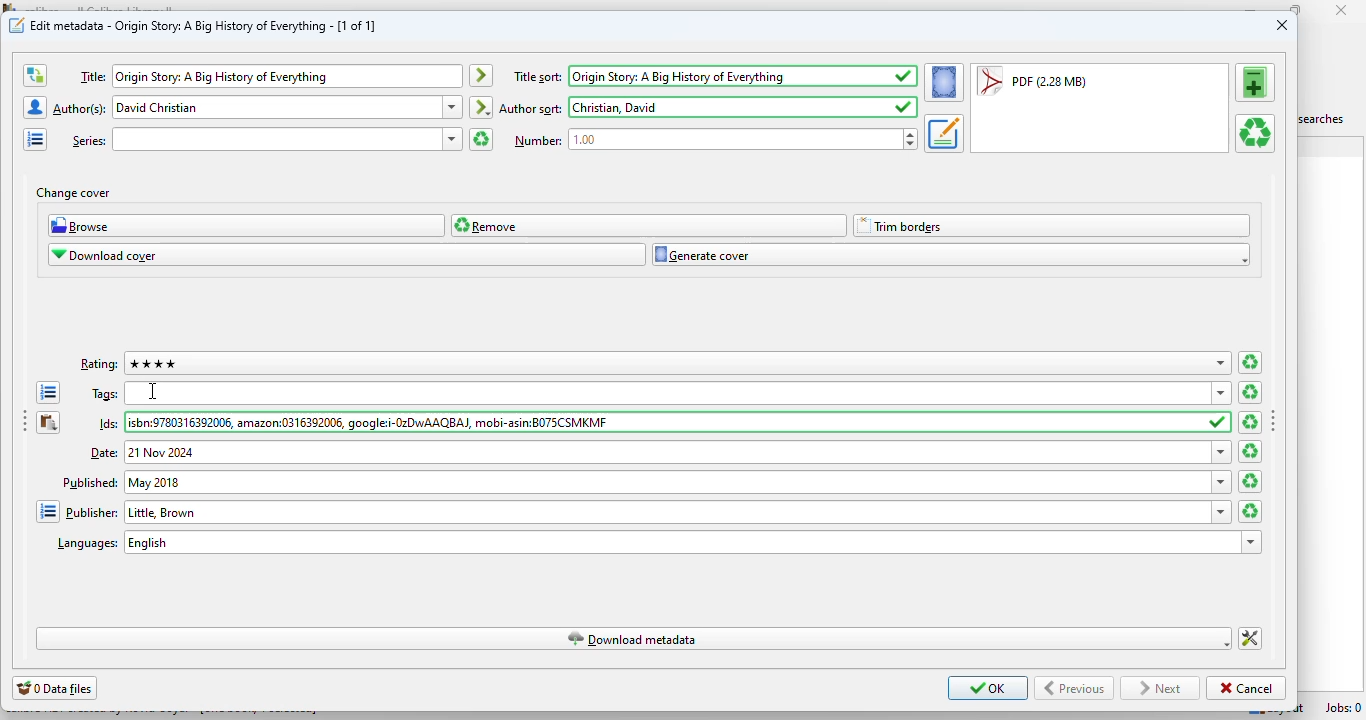 The image size is (1366, 720). Describe the element at coordinates (678, 542) in the screenshot. I see `languages: english` at that location.